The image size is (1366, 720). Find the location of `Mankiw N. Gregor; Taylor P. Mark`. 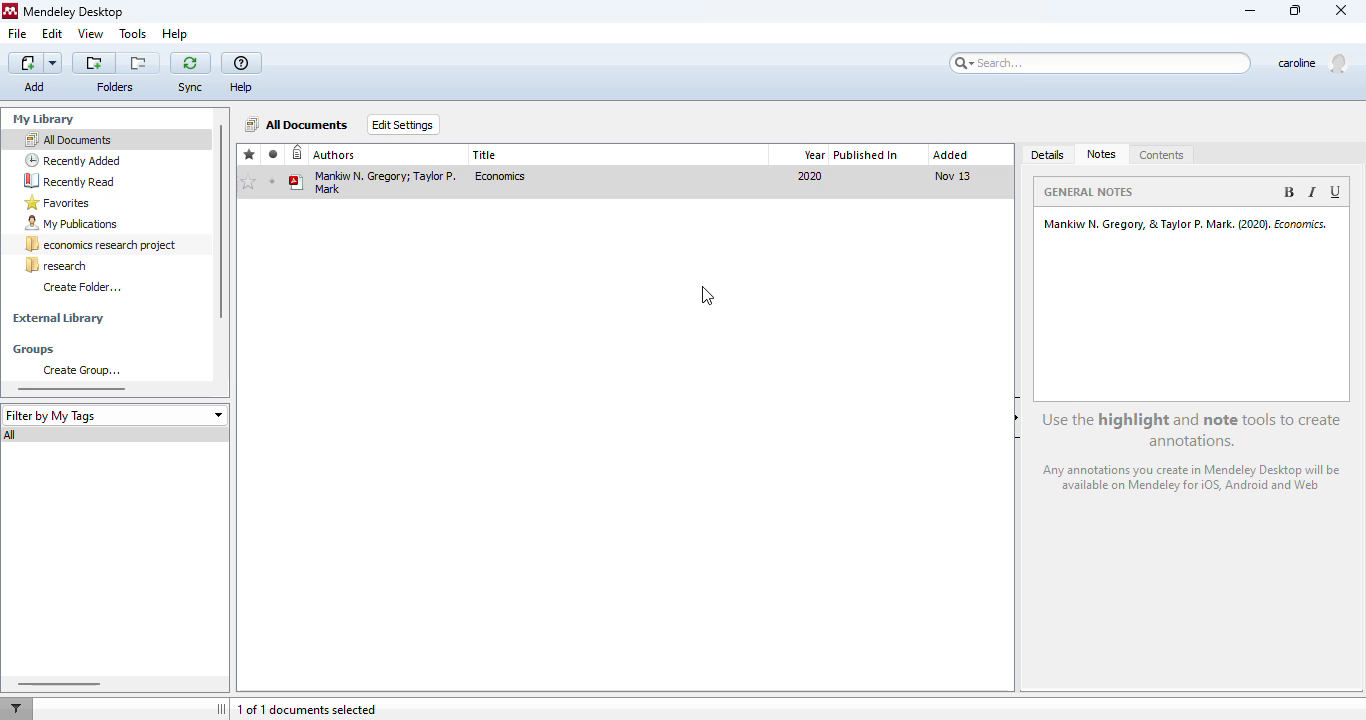

Mankiw N. Gregor; Taylor P. Mark is located at coordinates (374, 181).